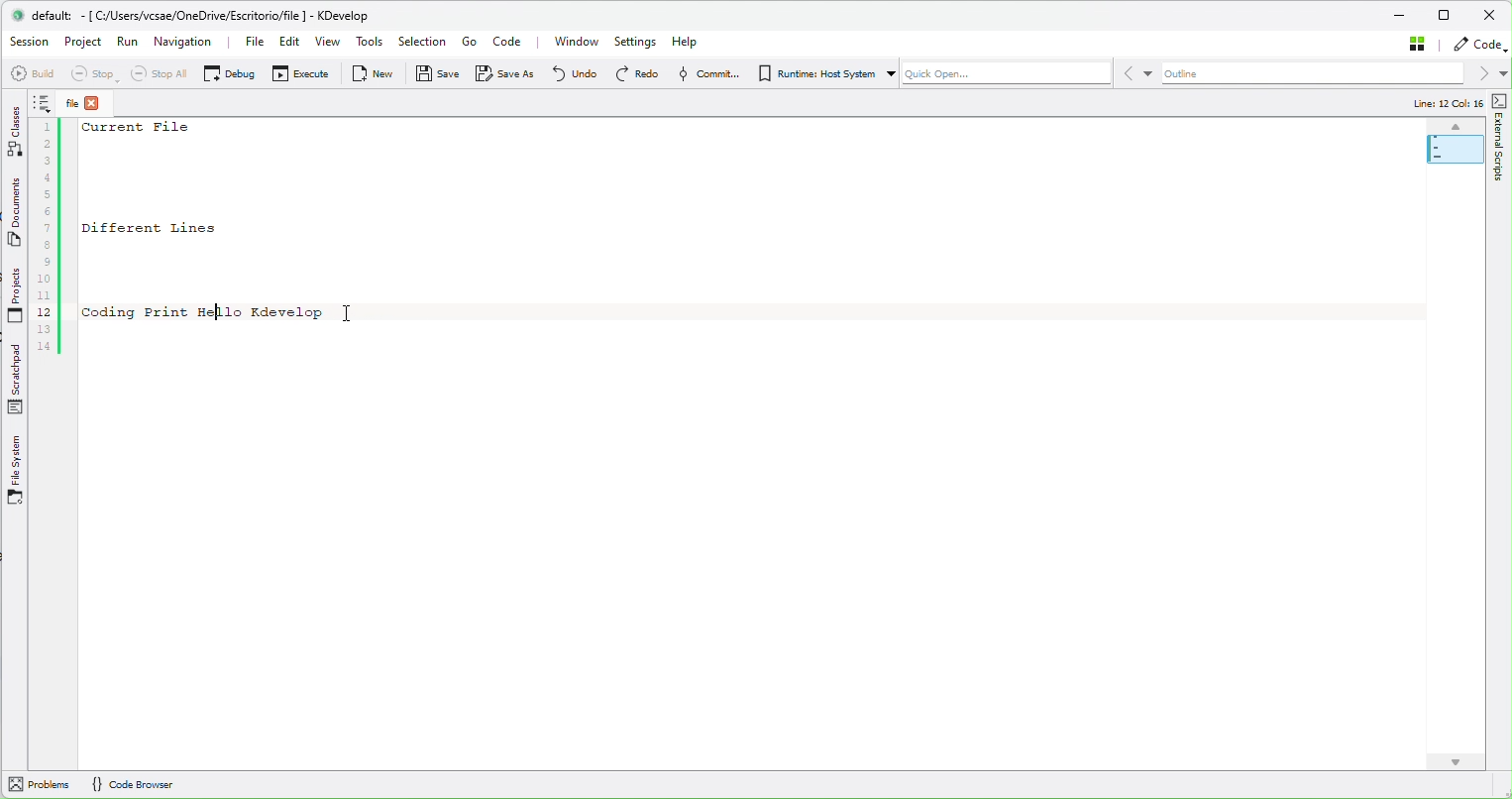  I want to click on Commit, so click(703, 74).